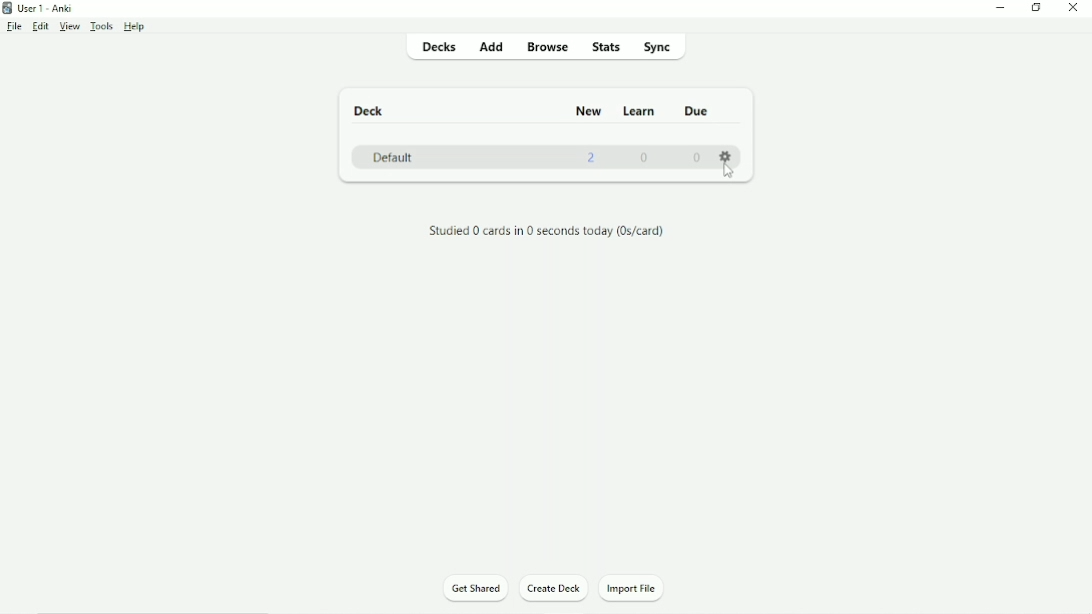 This screenshot has width=1092, height=614. I want to click on Tools, so click(101, 27).